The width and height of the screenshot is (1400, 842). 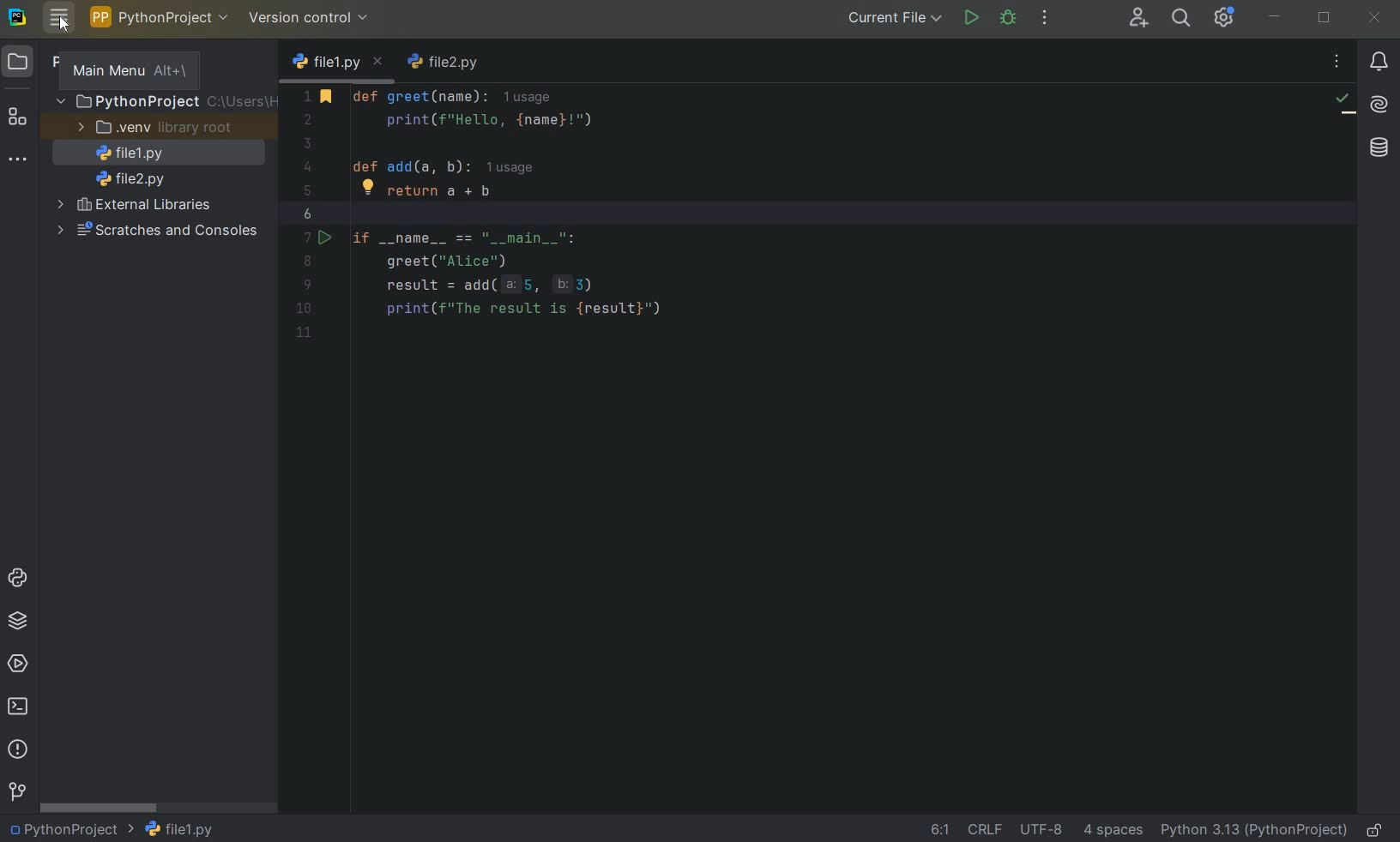 I want to click on recent files, tab actions, so click(x=1338, y=63).